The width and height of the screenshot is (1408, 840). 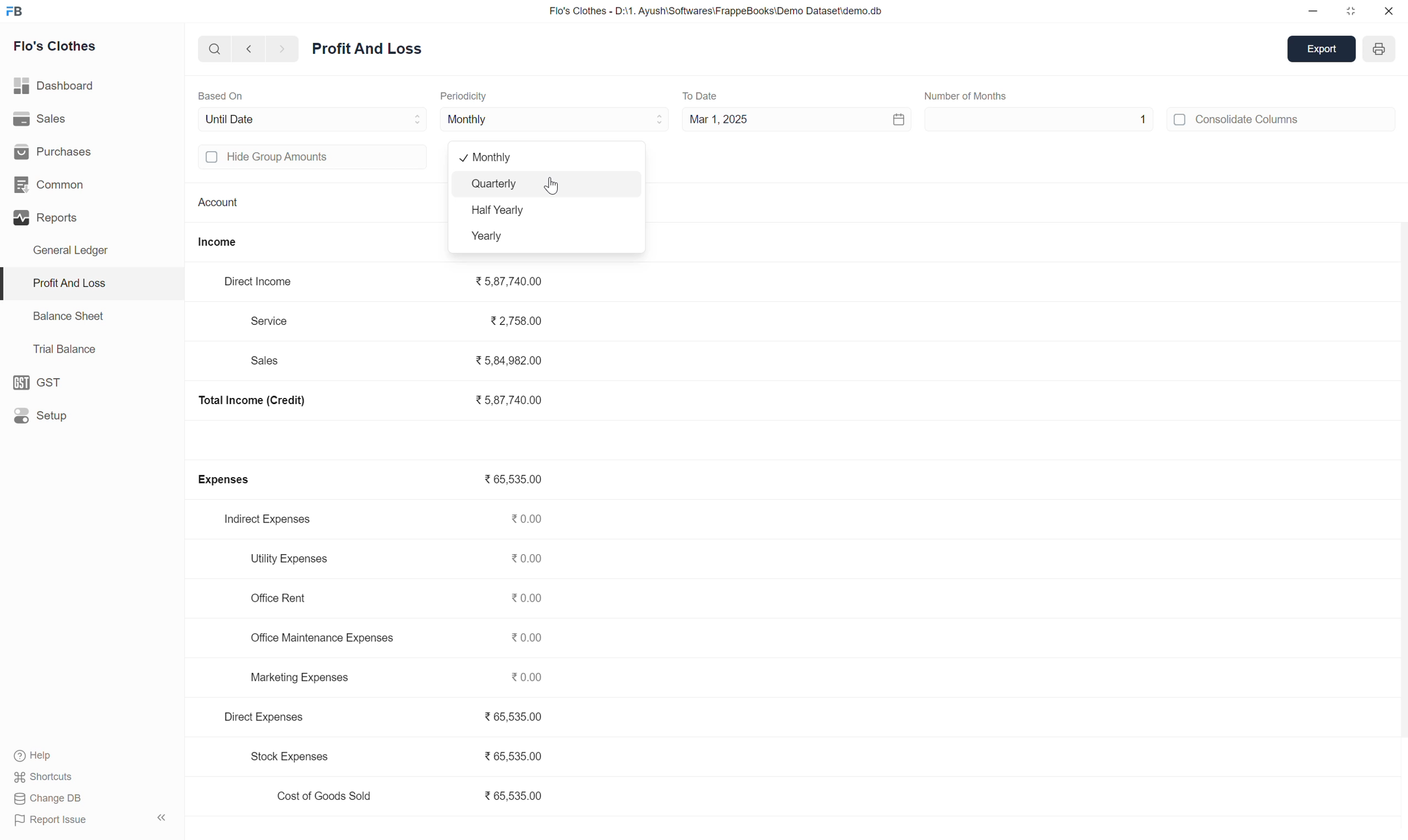 I want to click on ₹2,758.00, so click(x=508, y=323).